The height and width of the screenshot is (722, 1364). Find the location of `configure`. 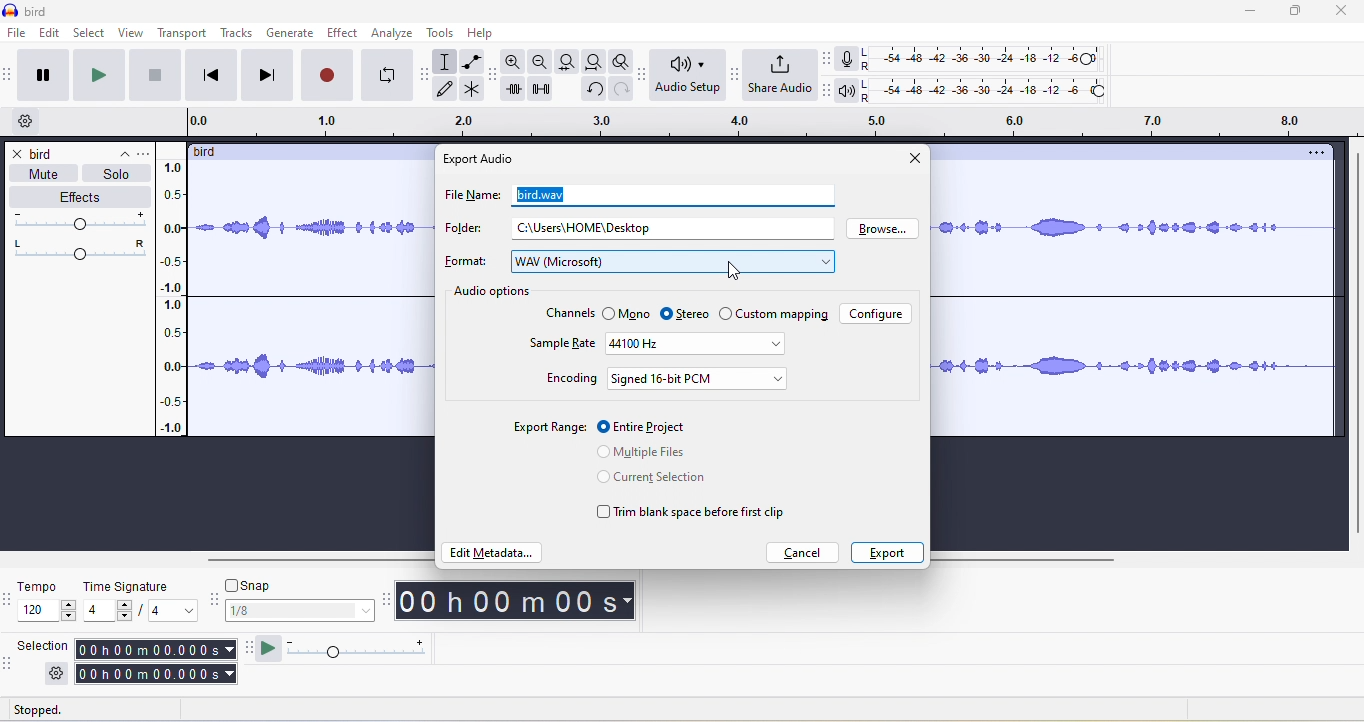

configure is located at coordinates (878, 315).